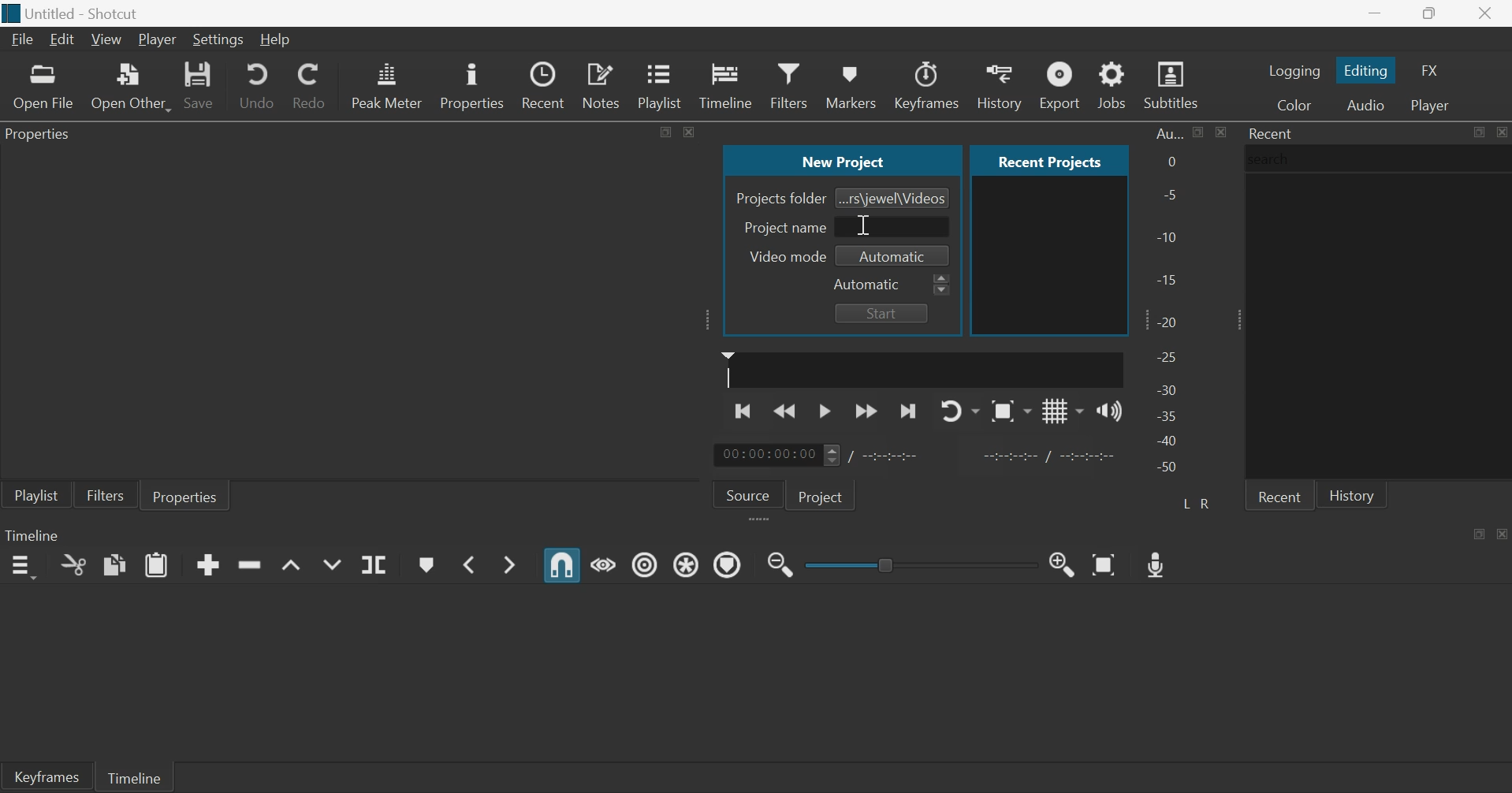  I want to click on Zoom timeline to fit, so click(1106, 564).